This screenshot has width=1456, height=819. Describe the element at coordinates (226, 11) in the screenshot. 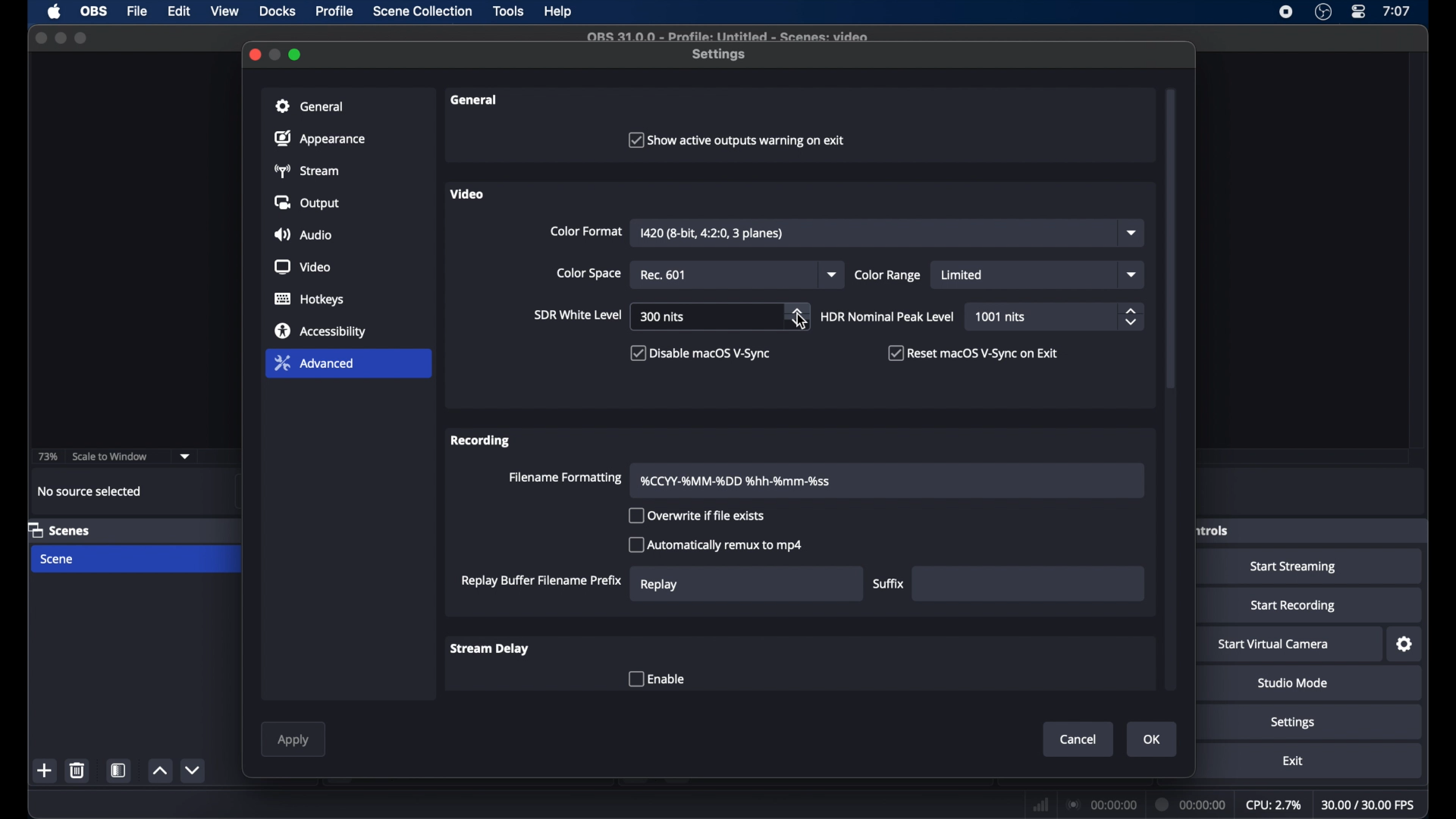

I see `view` at that location.